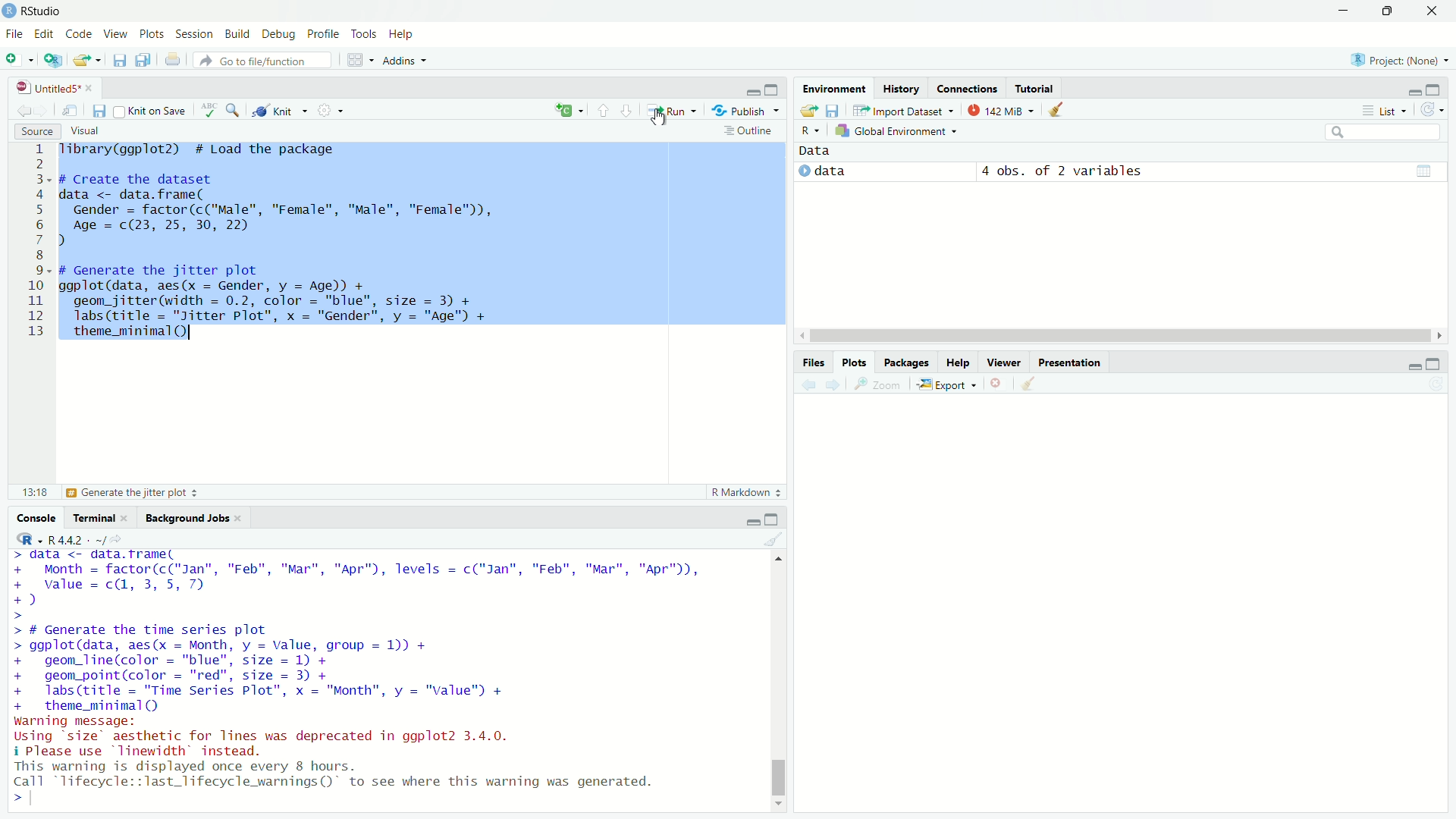  What do you see at coordinates (359, 60) in the screenshot?
I see `workspace panes` at bounding box center [359, 60].